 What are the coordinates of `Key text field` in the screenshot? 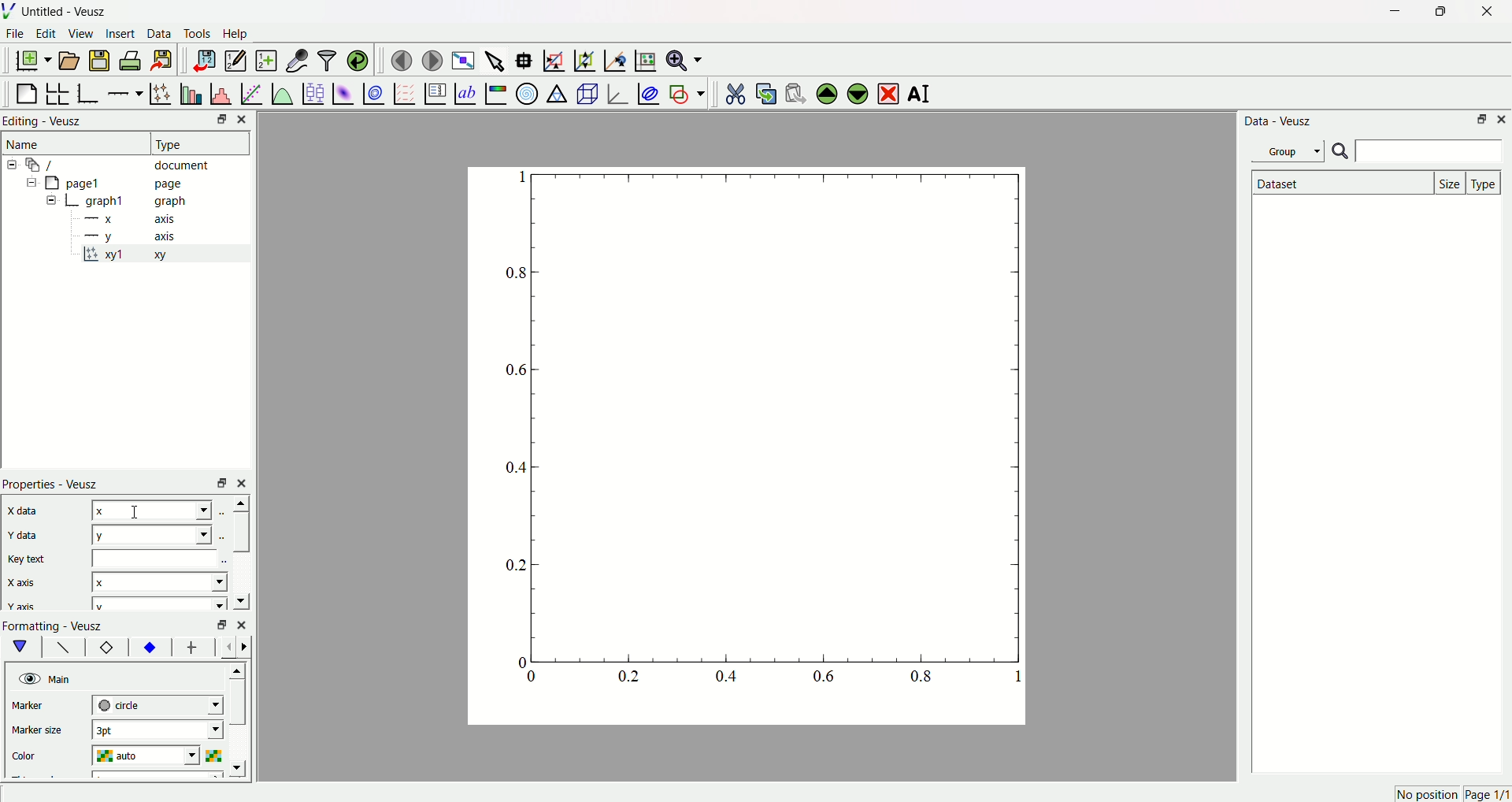 It's located at (157, 558).